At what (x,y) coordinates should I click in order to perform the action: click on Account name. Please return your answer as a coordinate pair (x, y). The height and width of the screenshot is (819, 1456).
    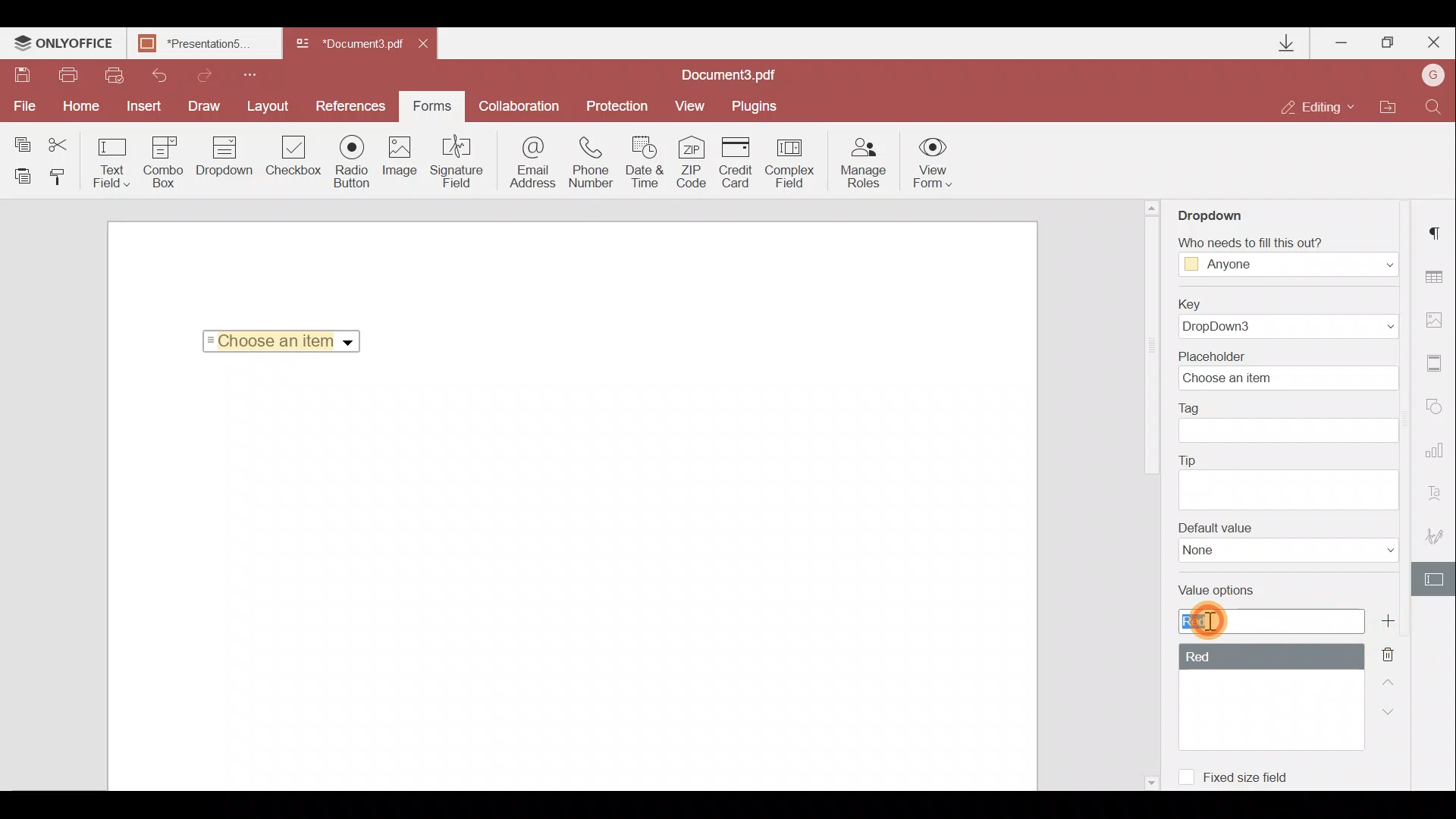
    Looking at the image, I should click on (1433, 74).